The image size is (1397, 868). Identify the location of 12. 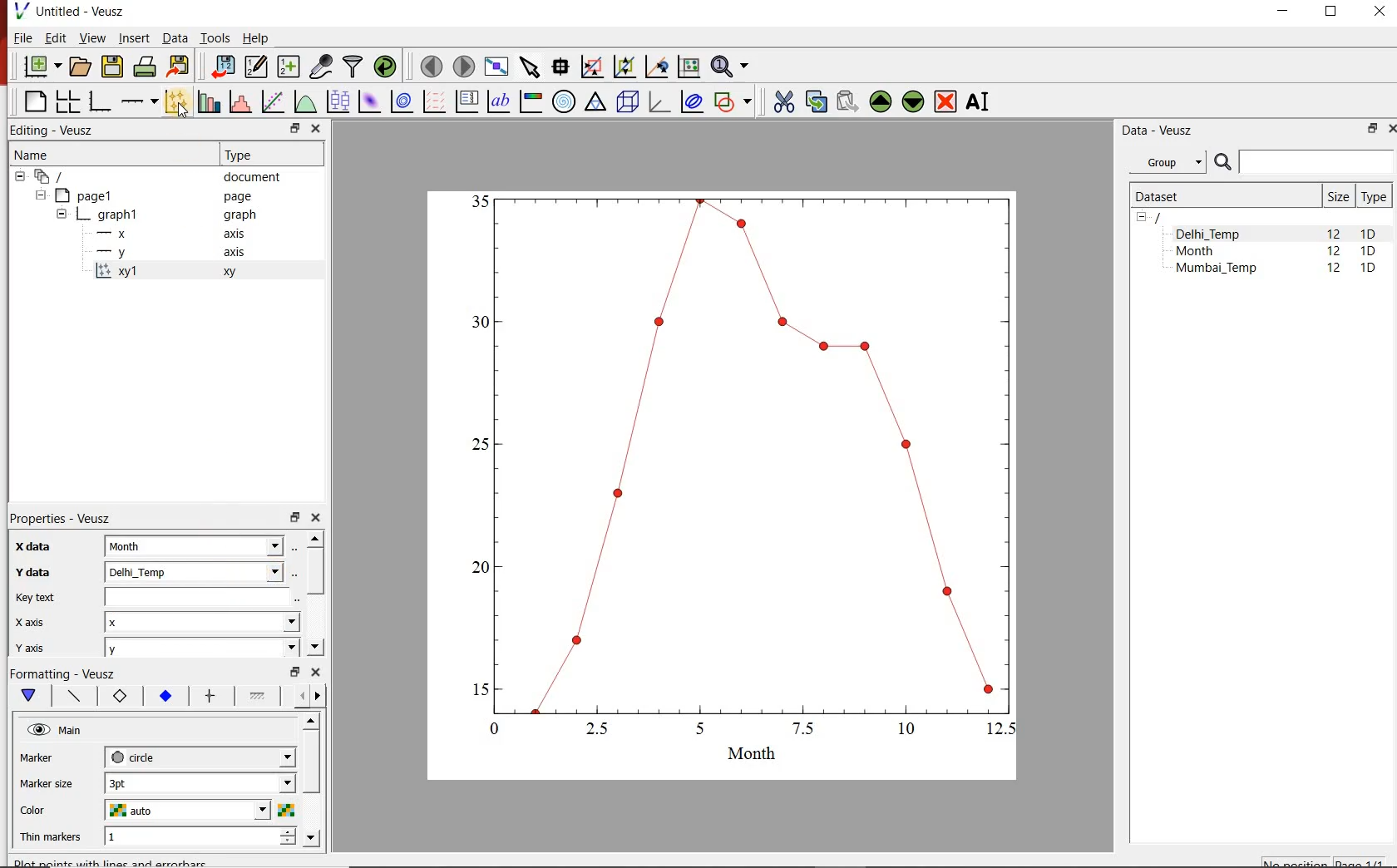
(1335, 270).